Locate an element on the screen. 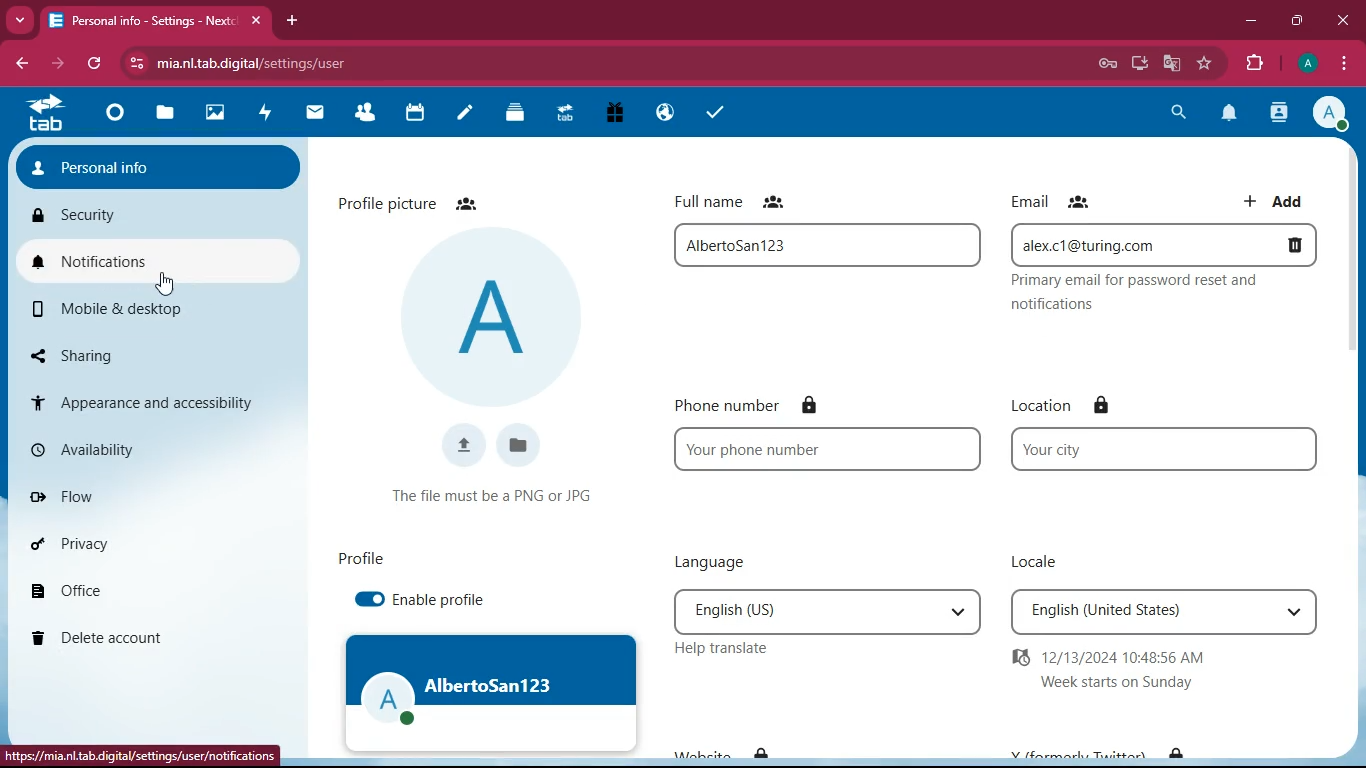 This screenshot has width=1366, height=768. files is located at coordinates (516, 447).